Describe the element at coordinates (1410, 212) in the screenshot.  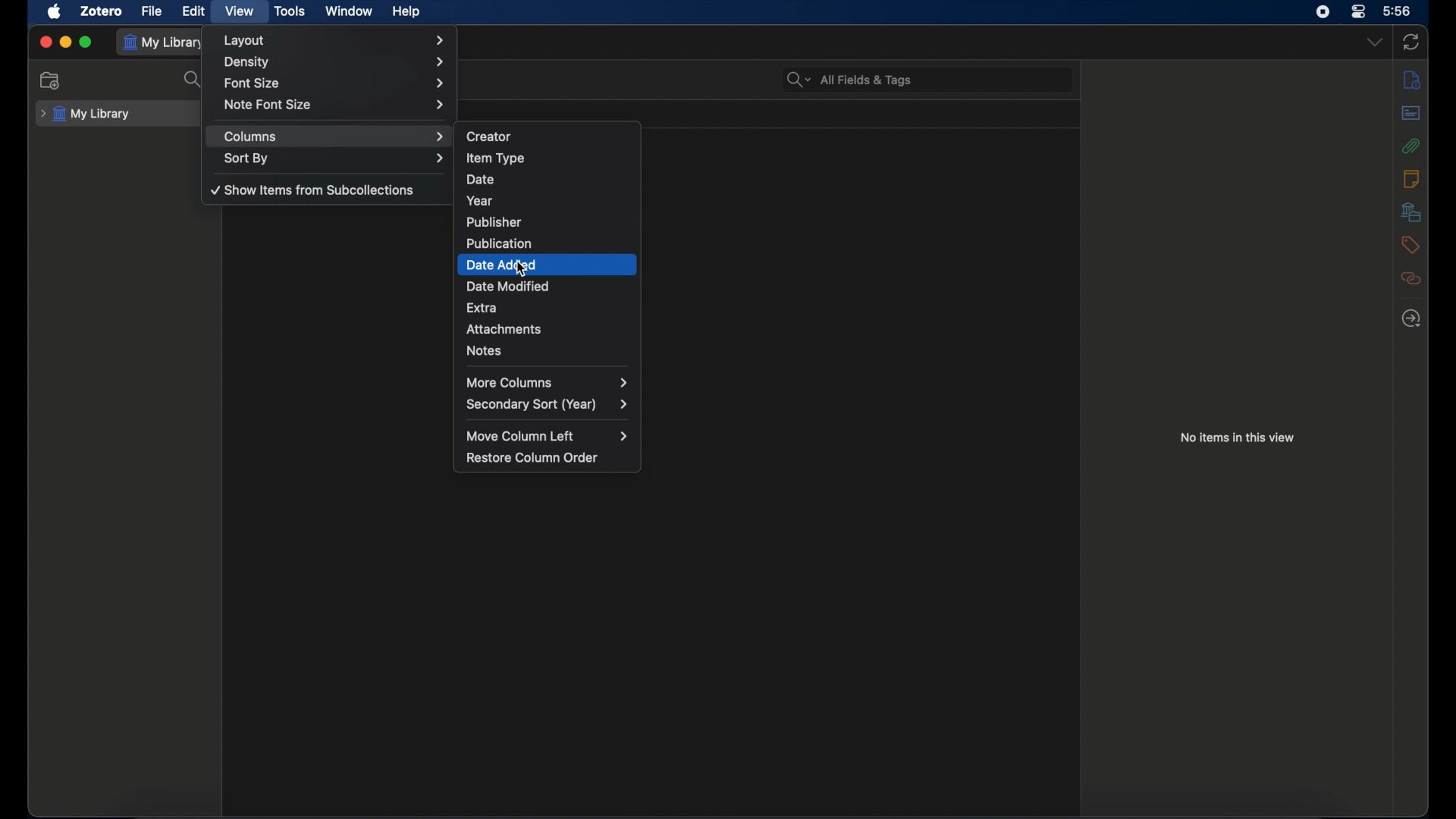
I see `libraries` at that location.